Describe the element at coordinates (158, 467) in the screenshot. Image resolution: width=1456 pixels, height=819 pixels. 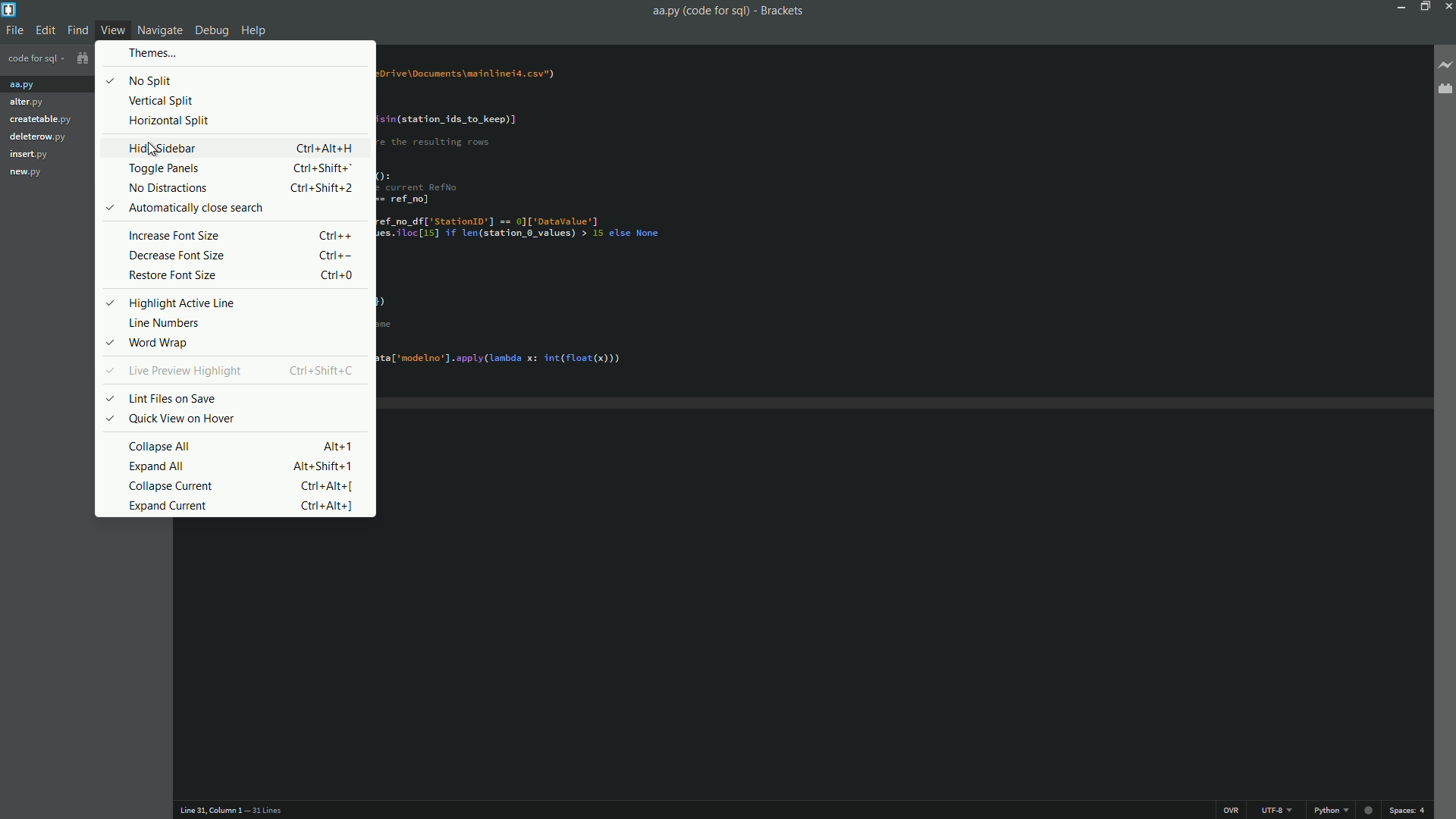
I see `expand all button` at that location.